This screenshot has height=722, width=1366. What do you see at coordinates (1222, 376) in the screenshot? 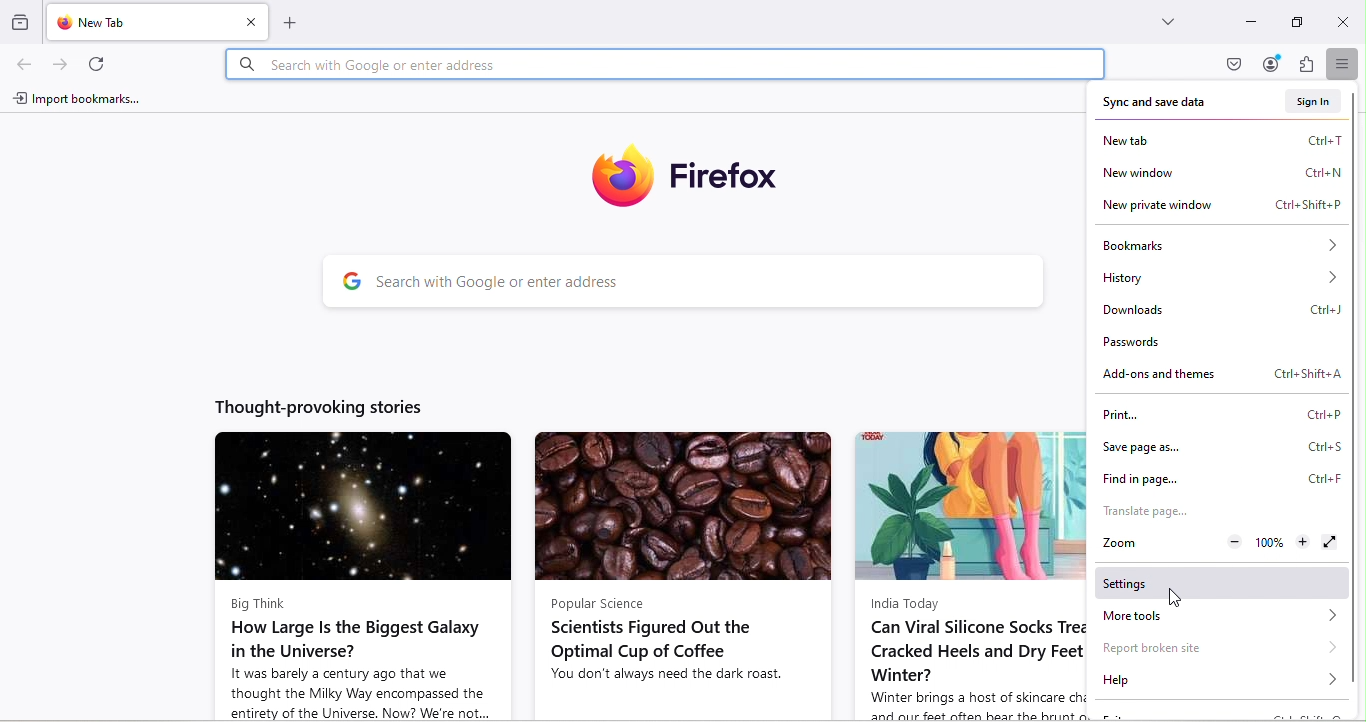
I see `Add-ons and themes` at bounding box center [1222, 376].